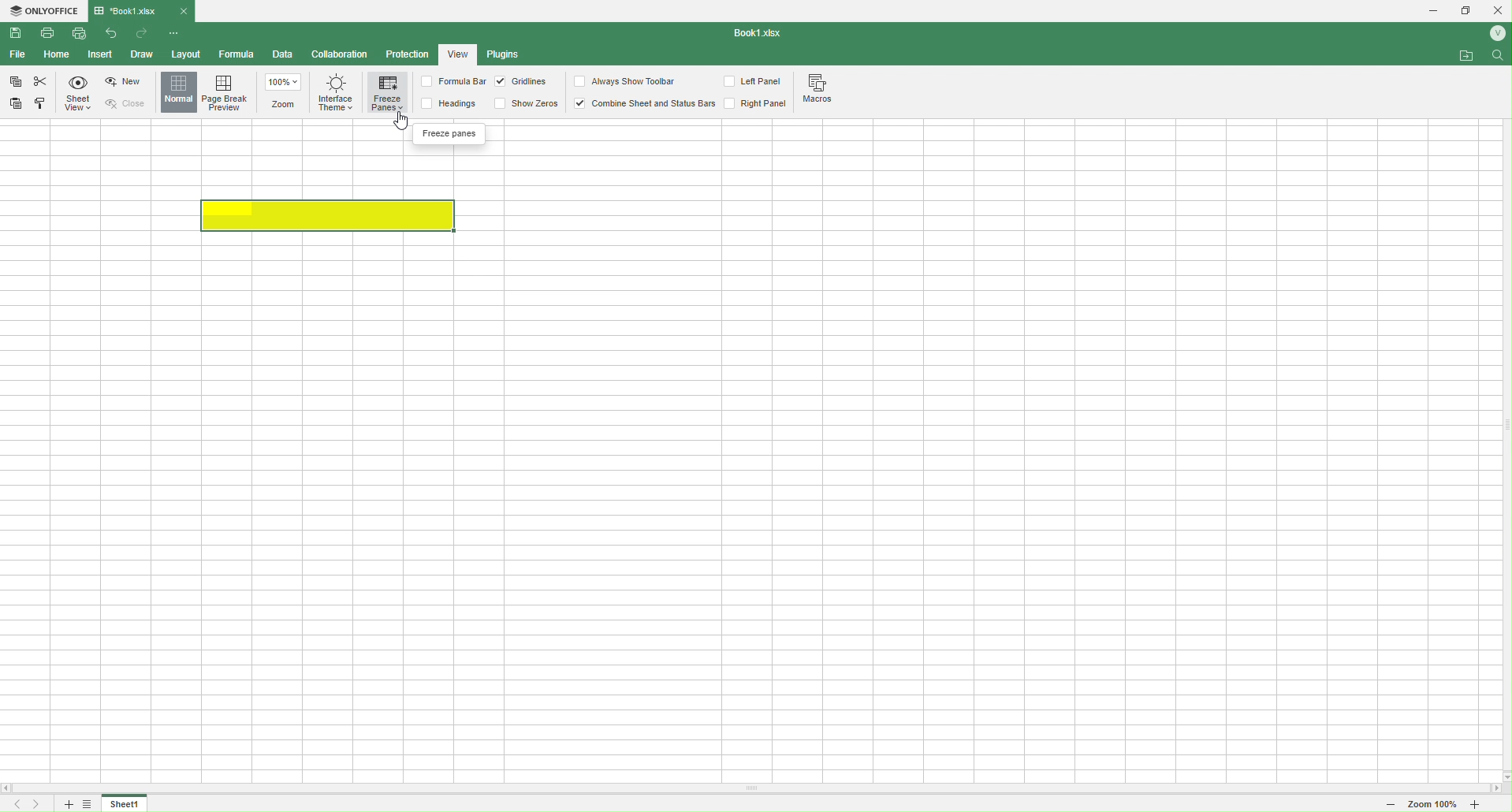 The height and width of the screenshot is (812, 1512). What do you see at coordinates (755, 83) in the screenshot?
I see `Left Panel` at bounding box center [755, 83].